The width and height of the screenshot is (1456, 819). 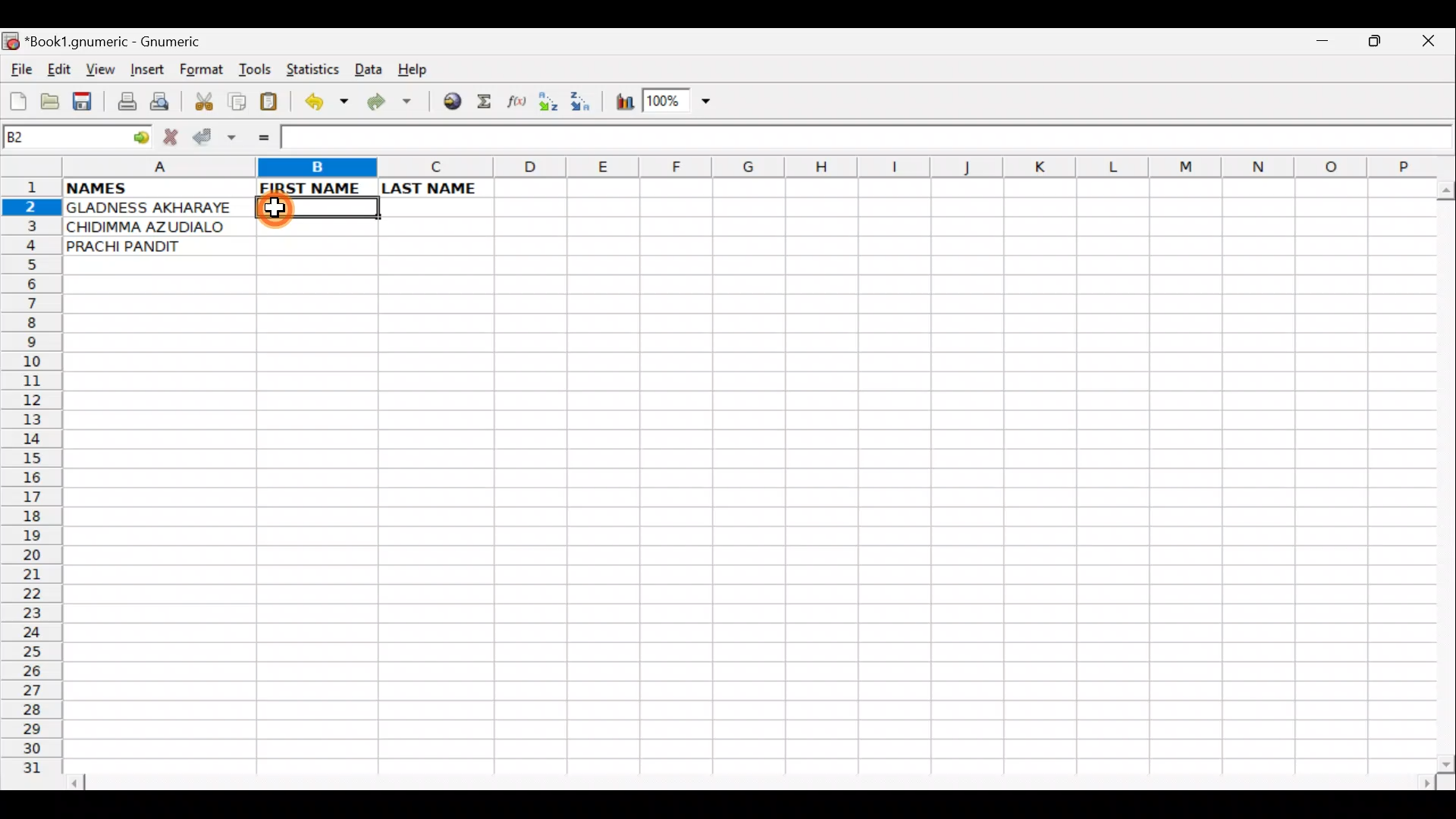 I want to click on Rows, so click(x=32, y=482).